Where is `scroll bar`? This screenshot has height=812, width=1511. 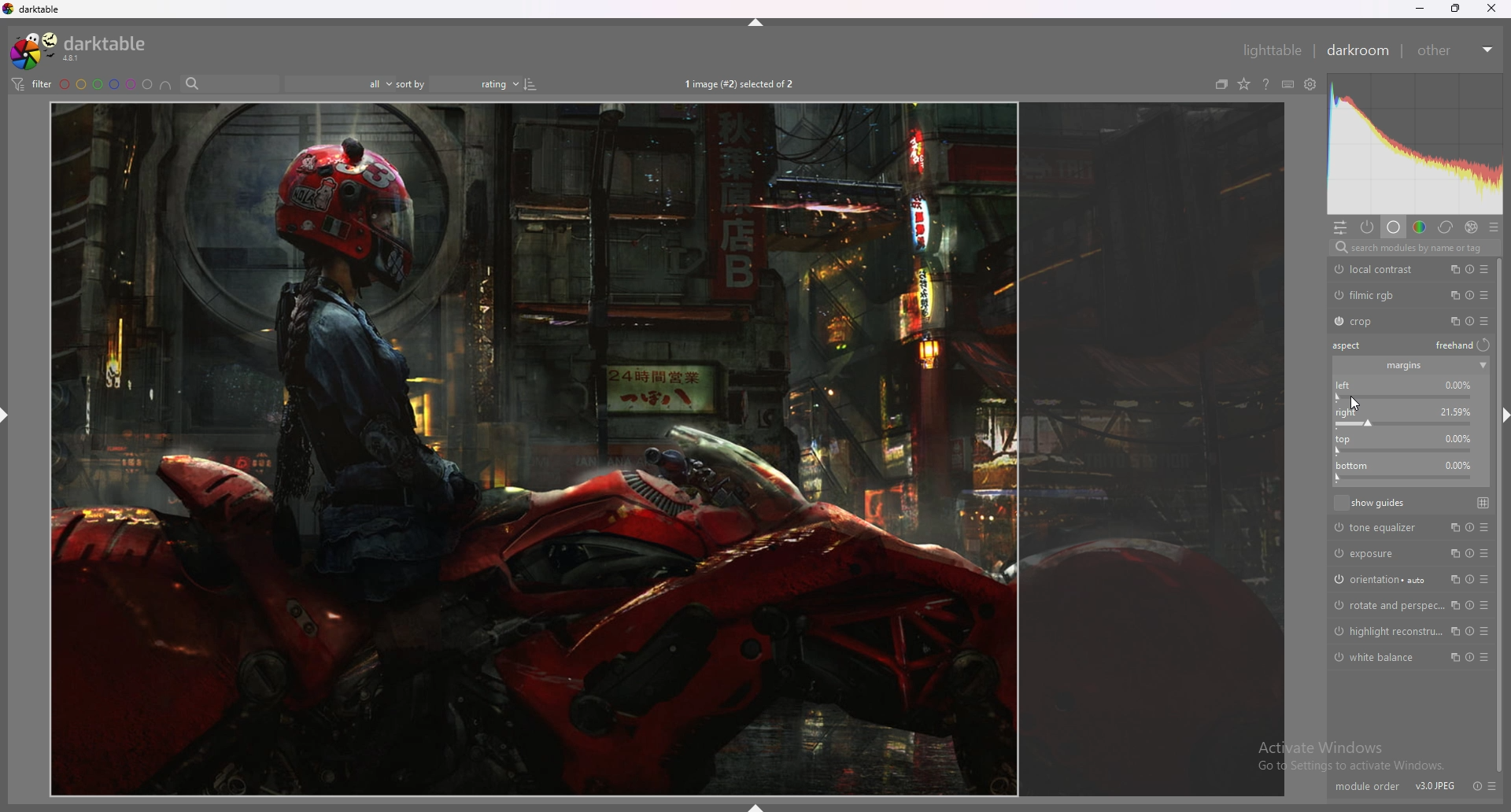
scroll bar is located at coordinates (1499, 515).